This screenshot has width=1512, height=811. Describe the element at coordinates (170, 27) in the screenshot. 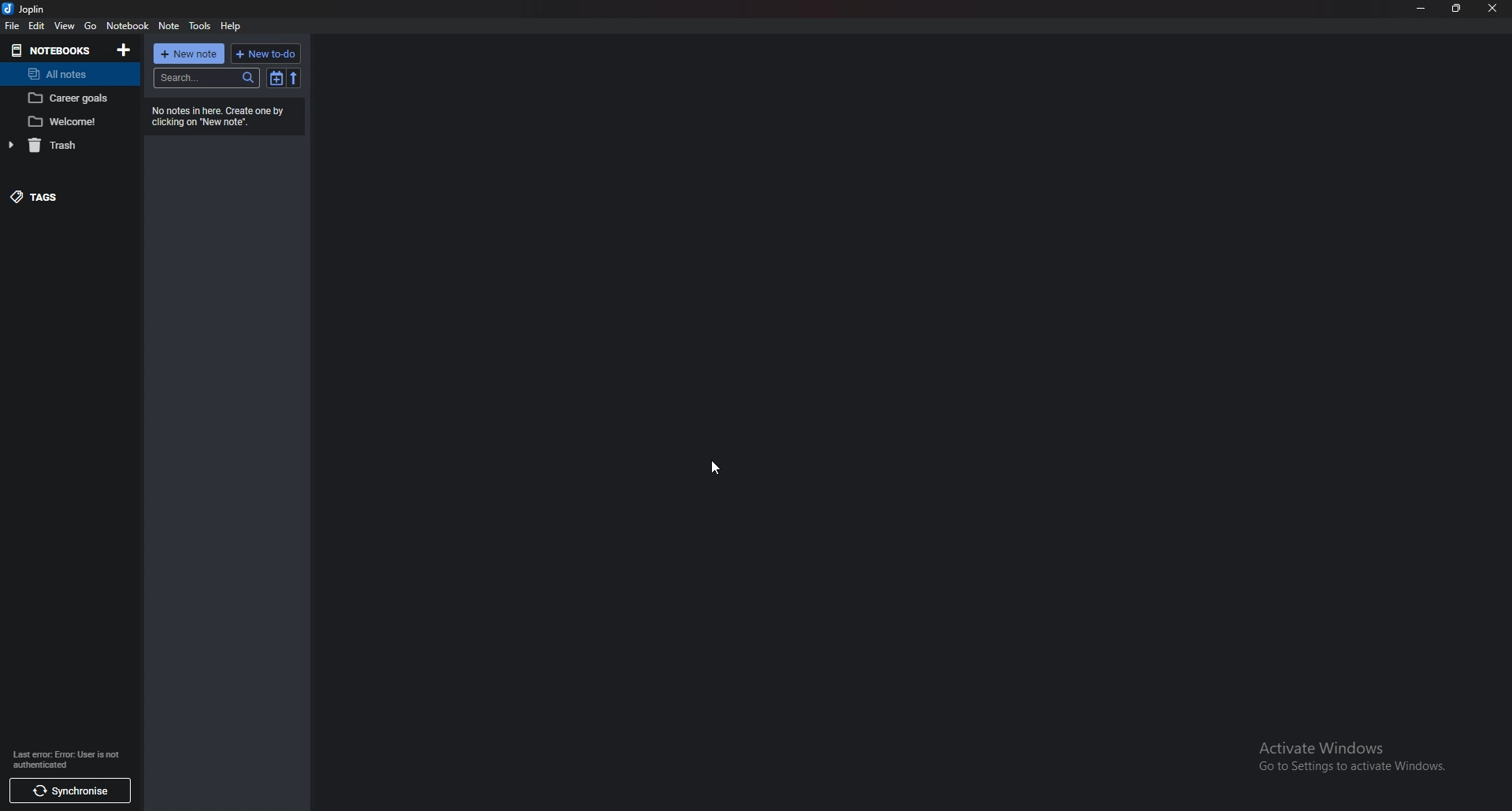

I see `note` at that location.